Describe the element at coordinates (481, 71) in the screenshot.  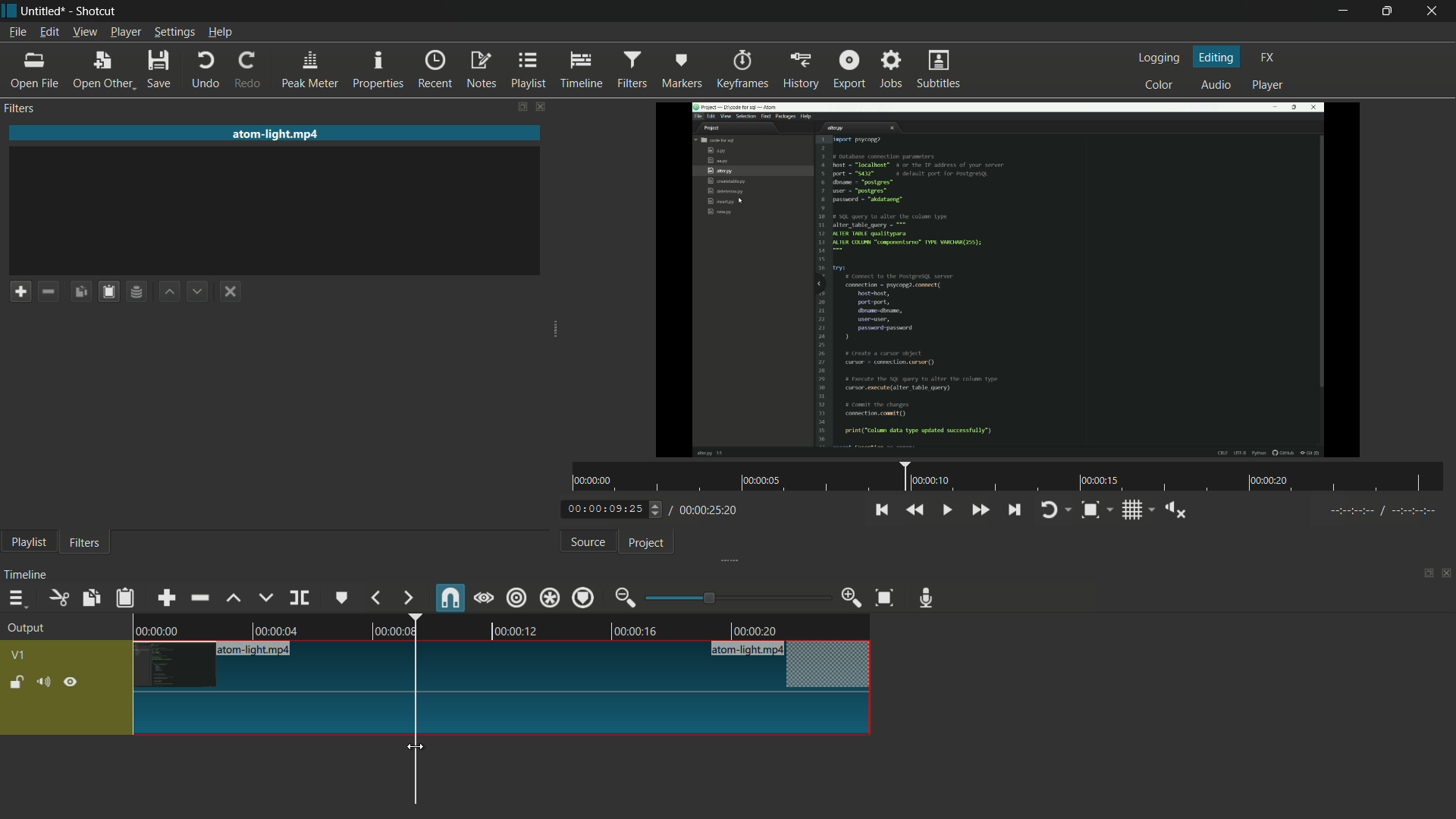
I see `notes` at that location.